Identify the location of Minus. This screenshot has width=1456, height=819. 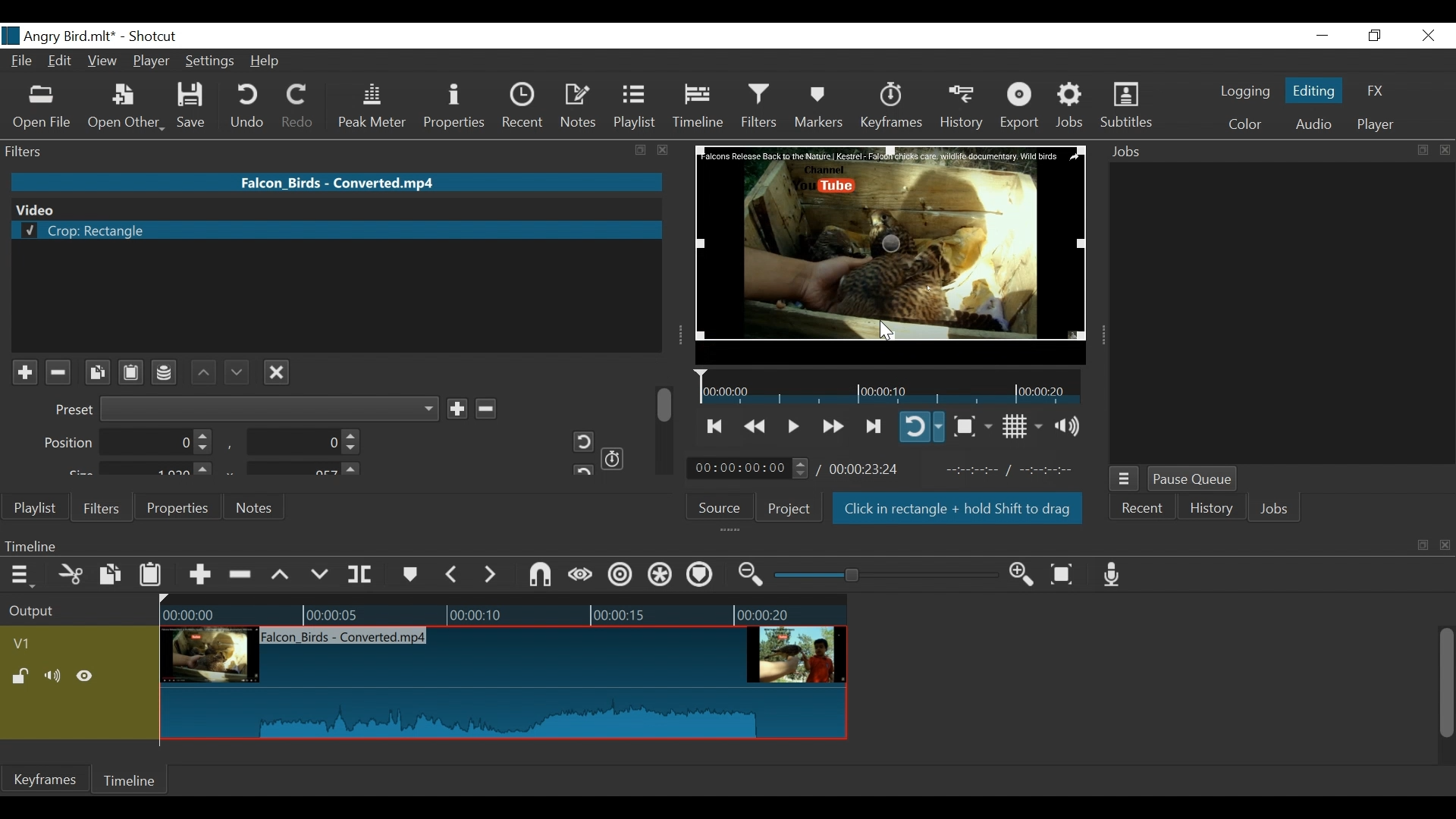
(57, 372).